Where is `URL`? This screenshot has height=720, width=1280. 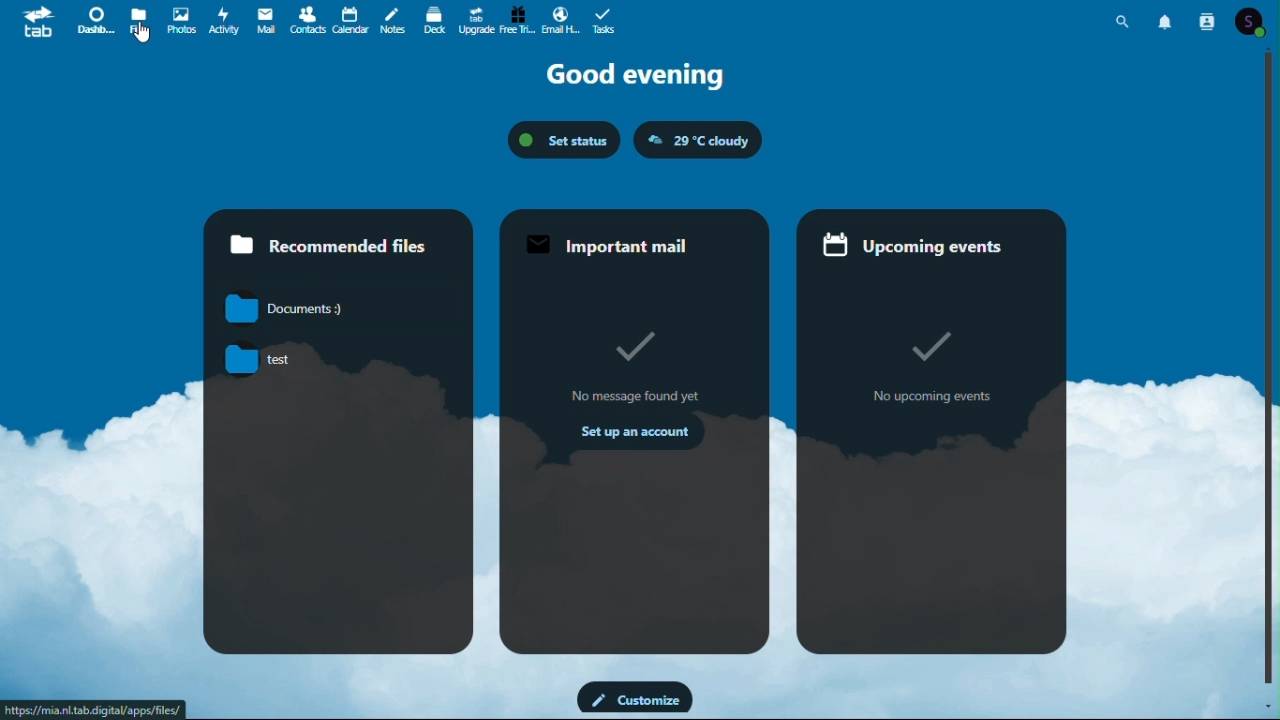
URL is located at coordinates (93, 709).